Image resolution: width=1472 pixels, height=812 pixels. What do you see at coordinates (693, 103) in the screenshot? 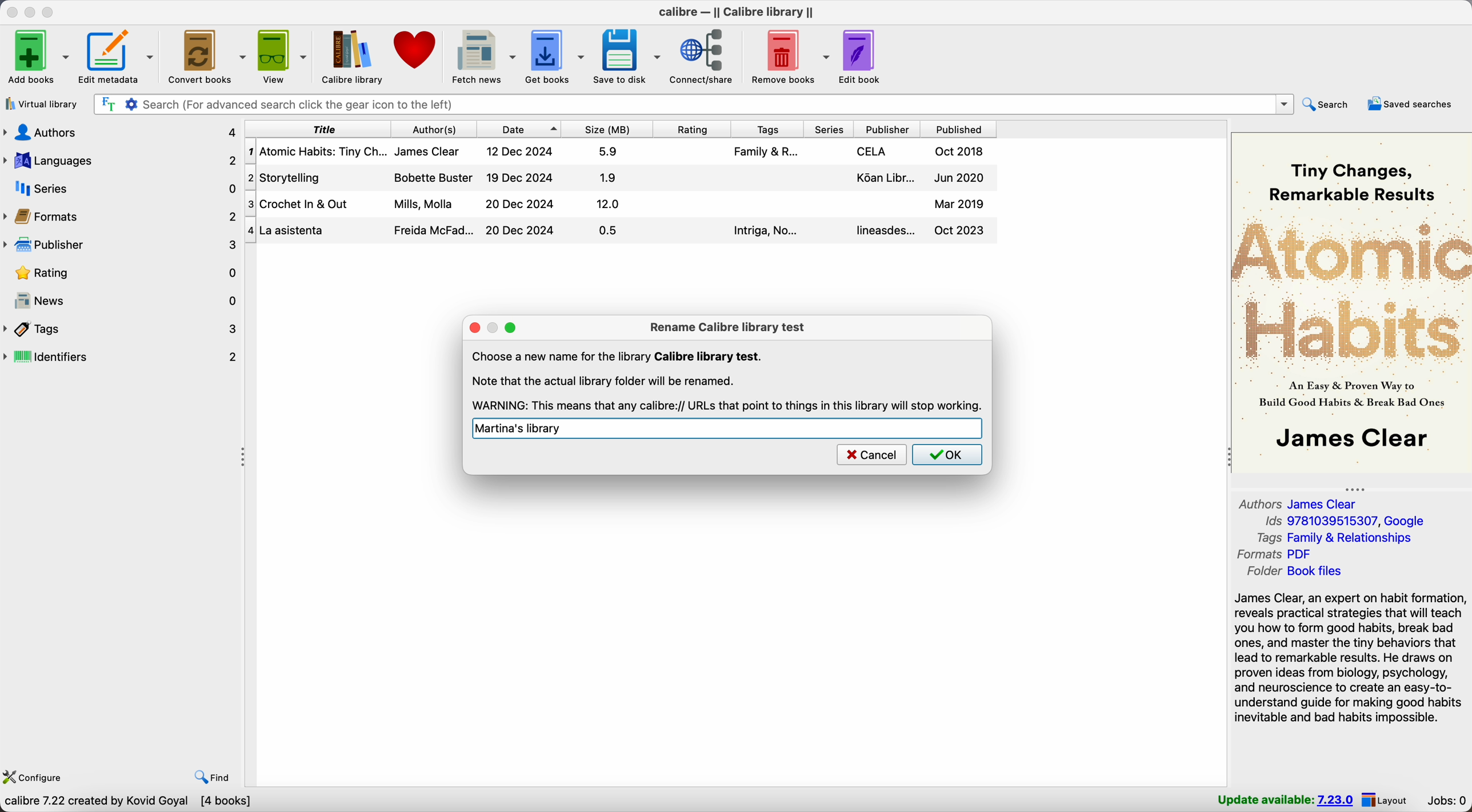
I see `search bar` at bounding box center [693, 103].